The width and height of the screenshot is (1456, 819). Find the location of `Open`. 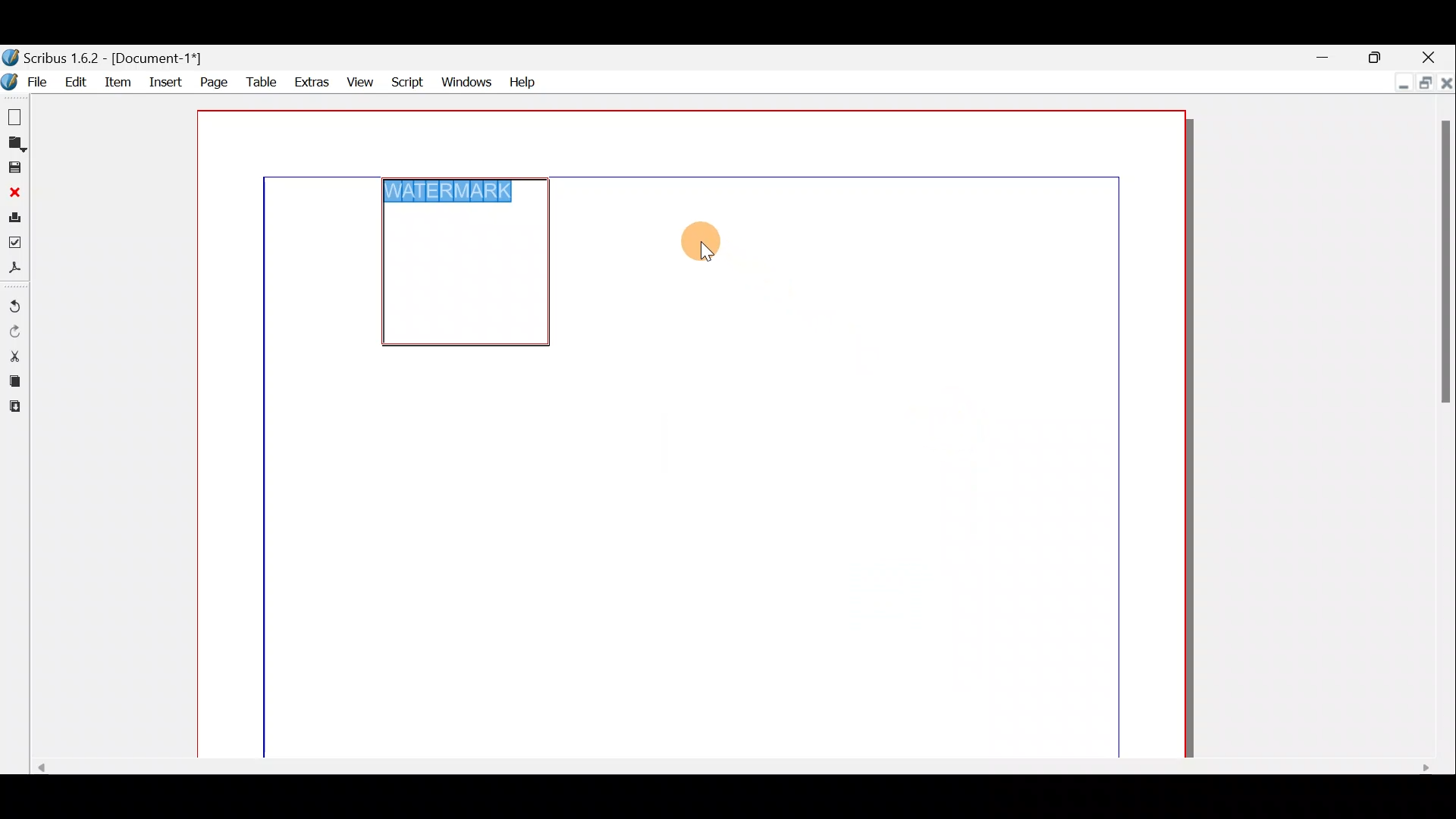

Open is located at coordinates (14, 145).